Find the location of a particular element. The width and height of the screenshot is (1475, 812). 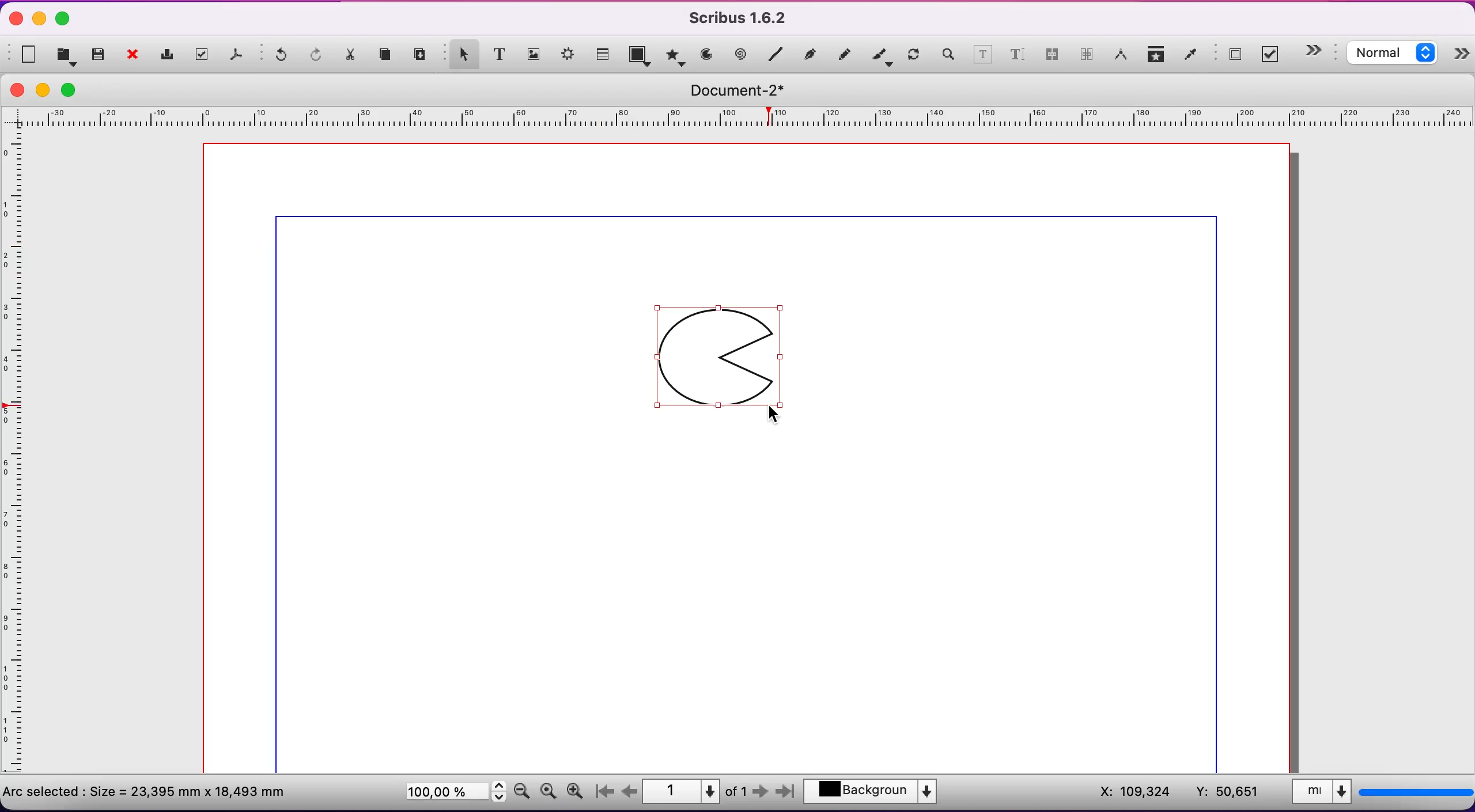

shape is located at coordinates (641, 57).